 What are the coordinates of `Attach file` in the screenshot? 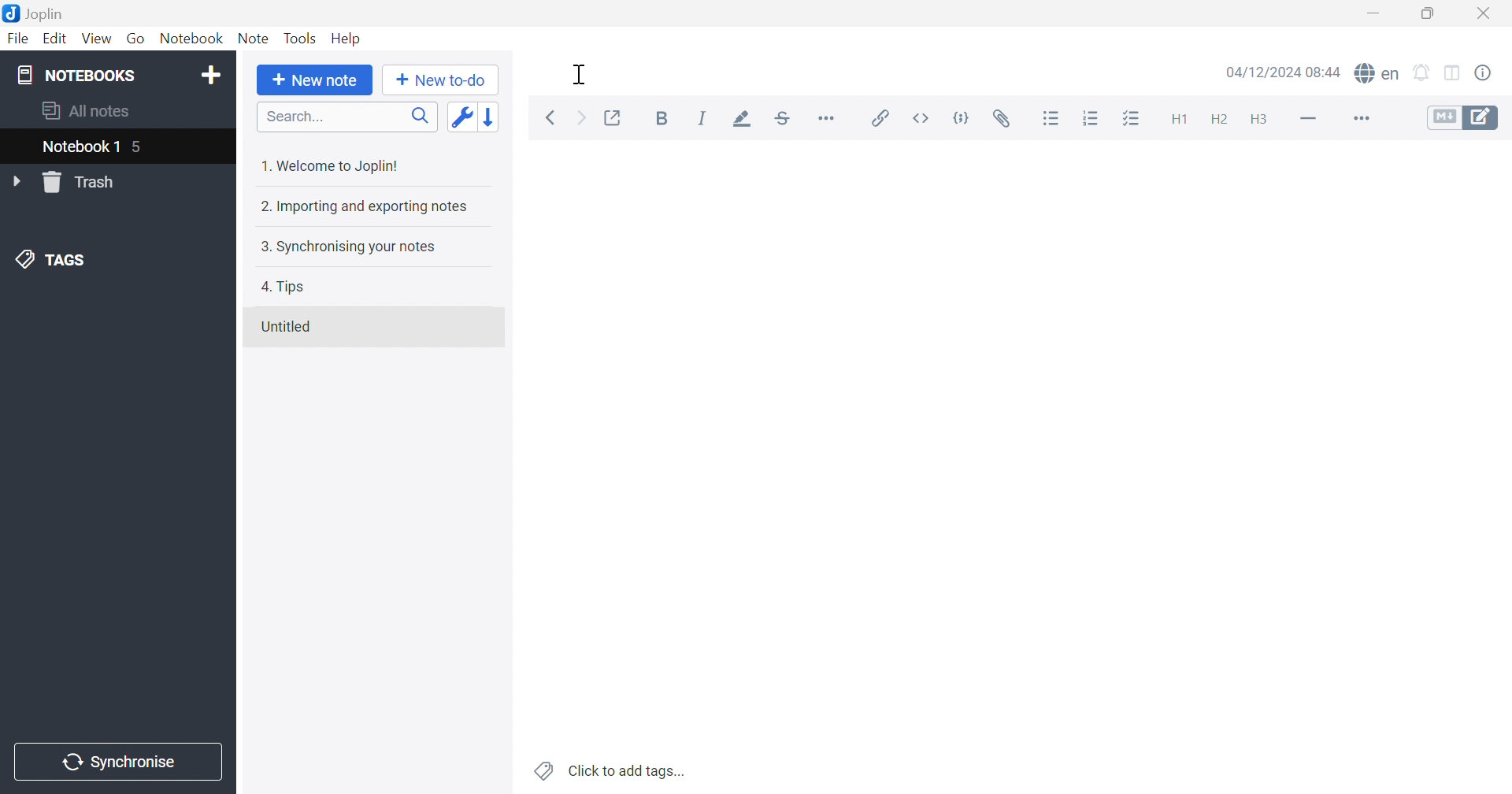 It's located at (1004, 118).